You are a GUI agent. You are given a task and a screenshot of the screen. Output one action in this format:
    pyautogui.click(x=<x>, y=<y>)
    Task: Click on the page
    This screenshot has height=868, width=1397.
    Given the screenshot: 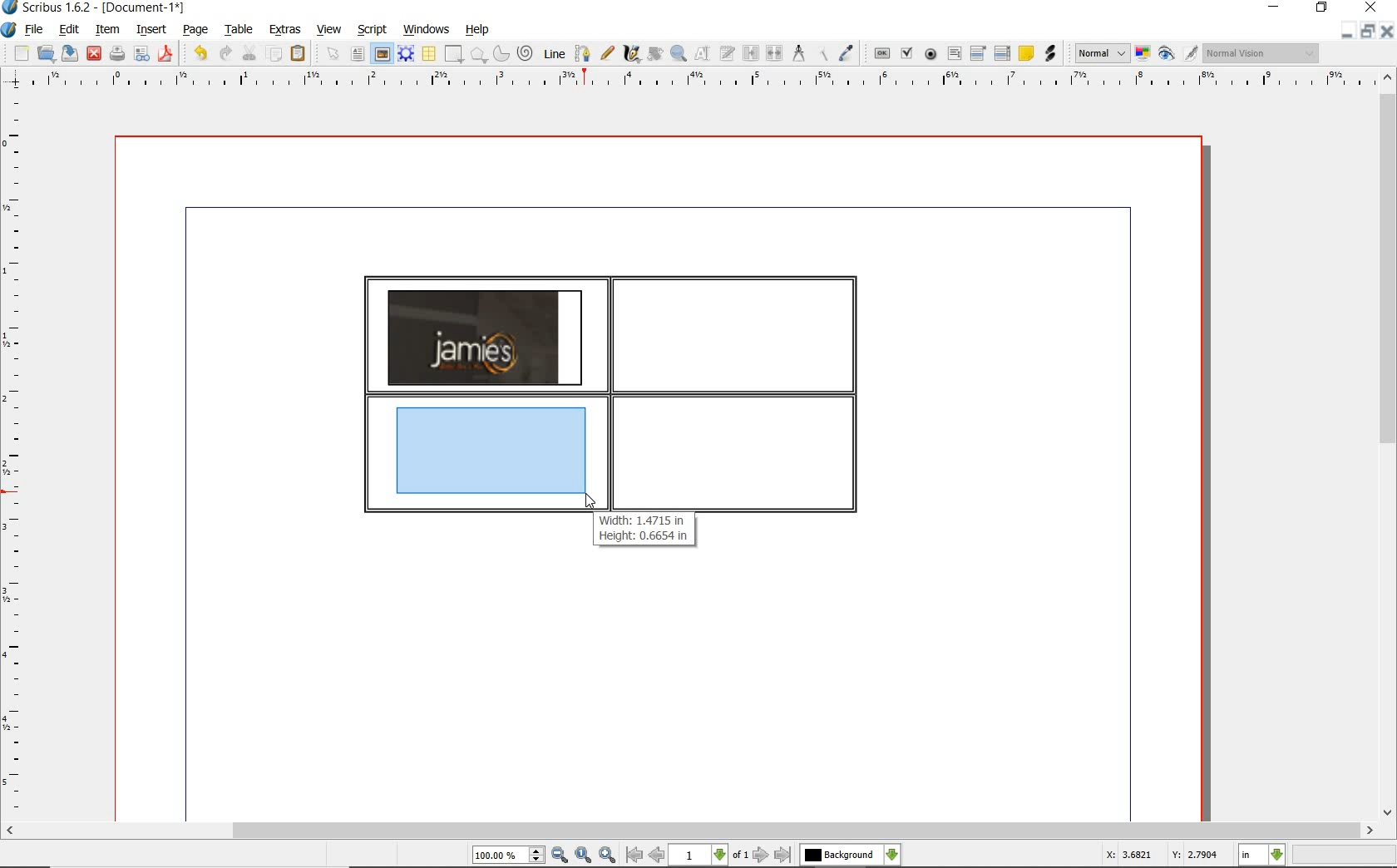 What is the action you would take?
    pyautogui.click(x=195, y=31)
    